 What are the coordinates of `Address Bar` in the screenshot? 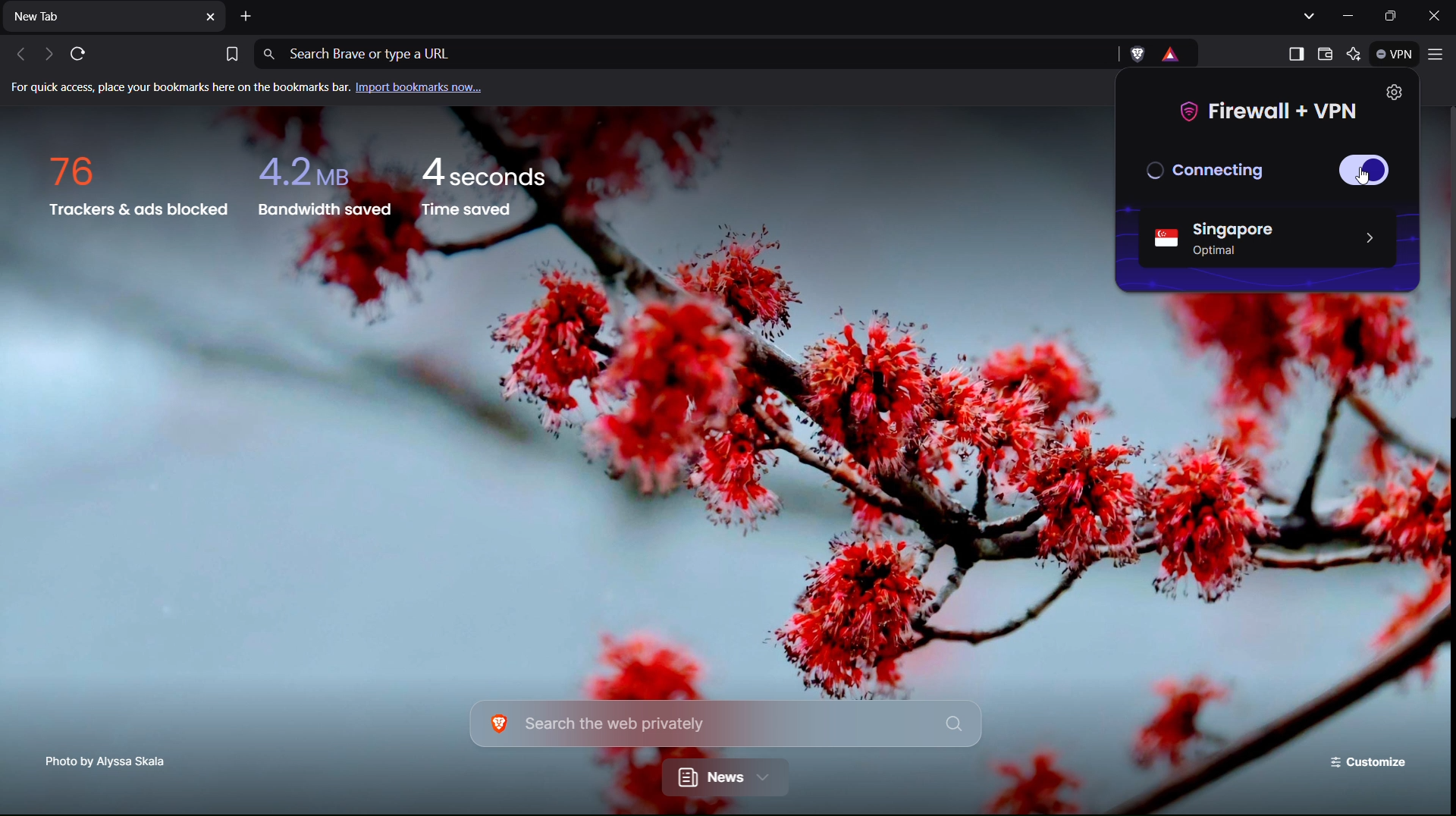 It's located at (725, 52).